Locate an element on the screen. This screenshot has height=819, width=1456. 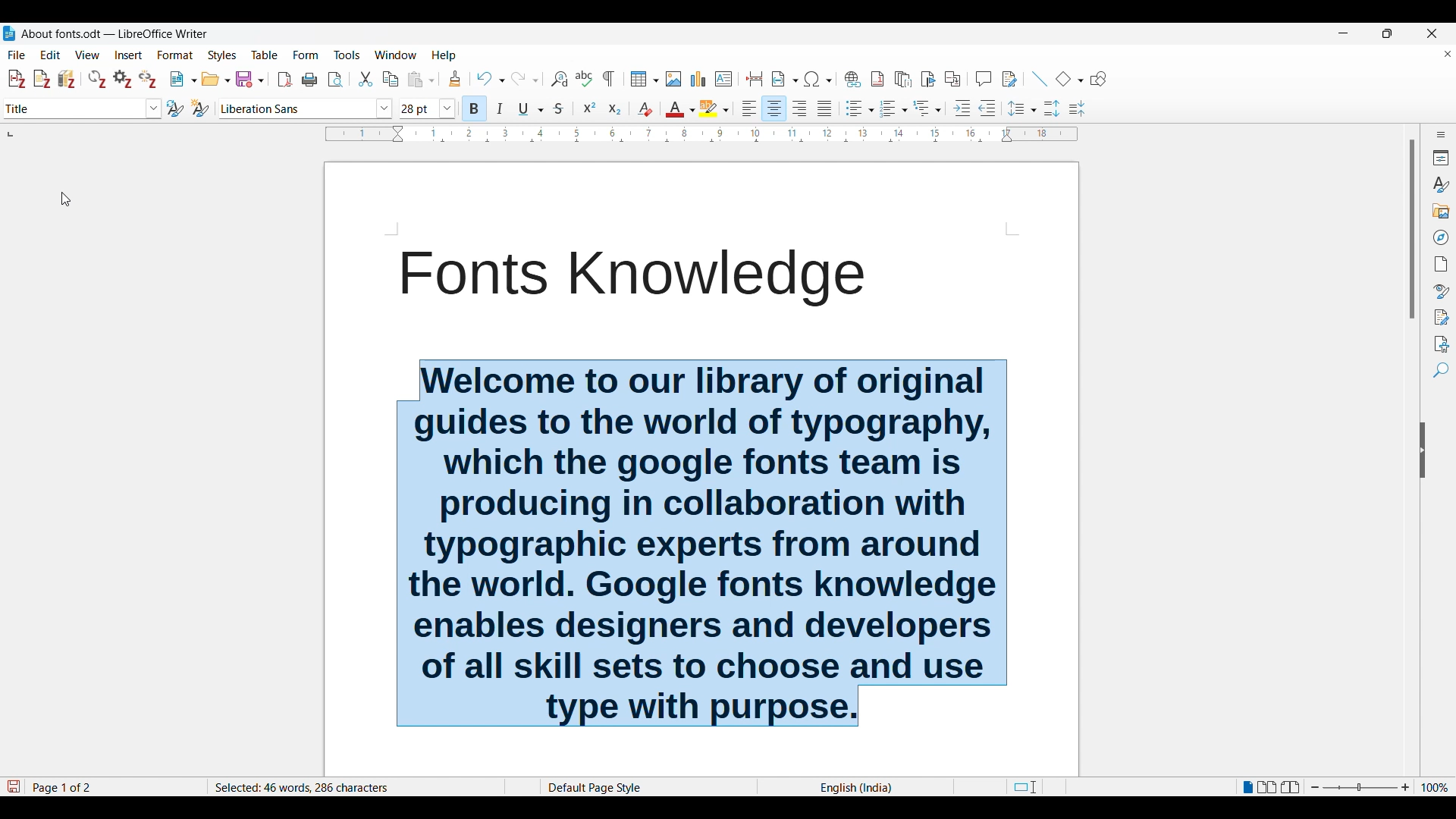
Insert comment is located at coordinates (984, 79).